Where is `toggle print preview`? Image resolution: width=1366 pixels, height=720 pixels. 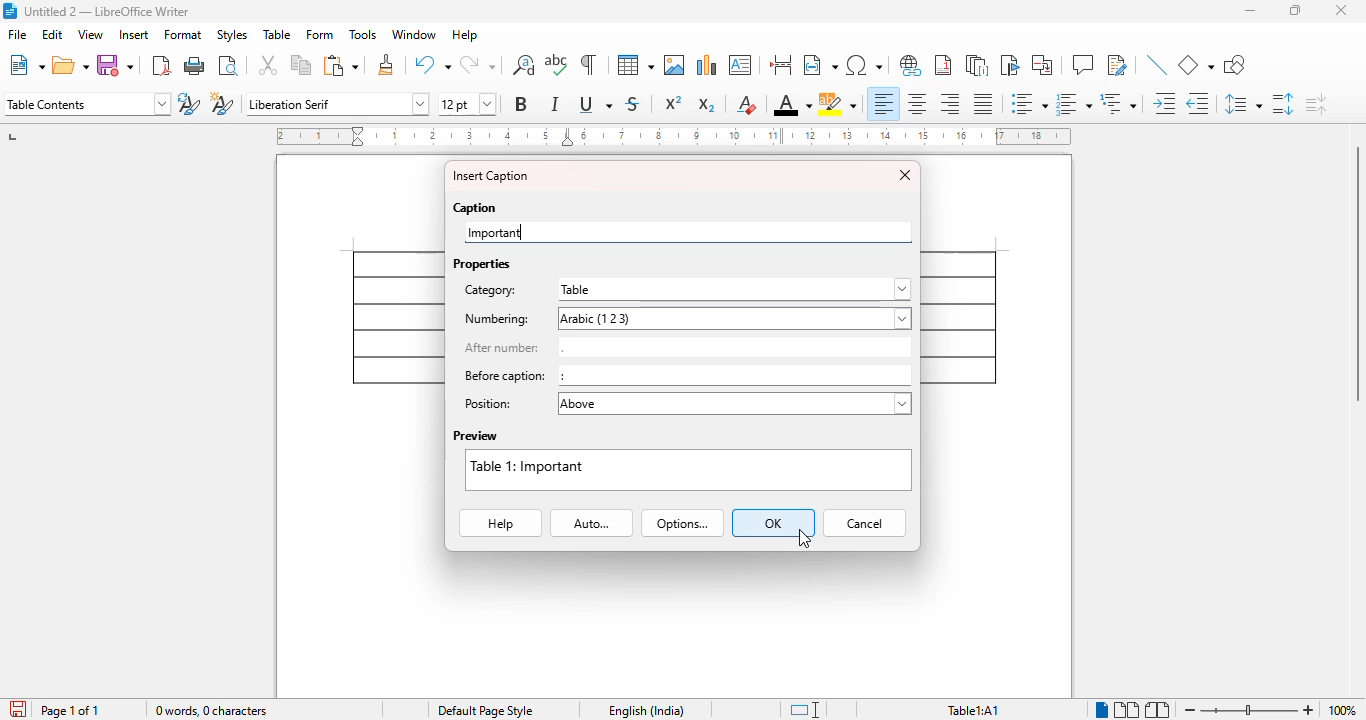
toggle print preview is located at coordinates (229, 66).